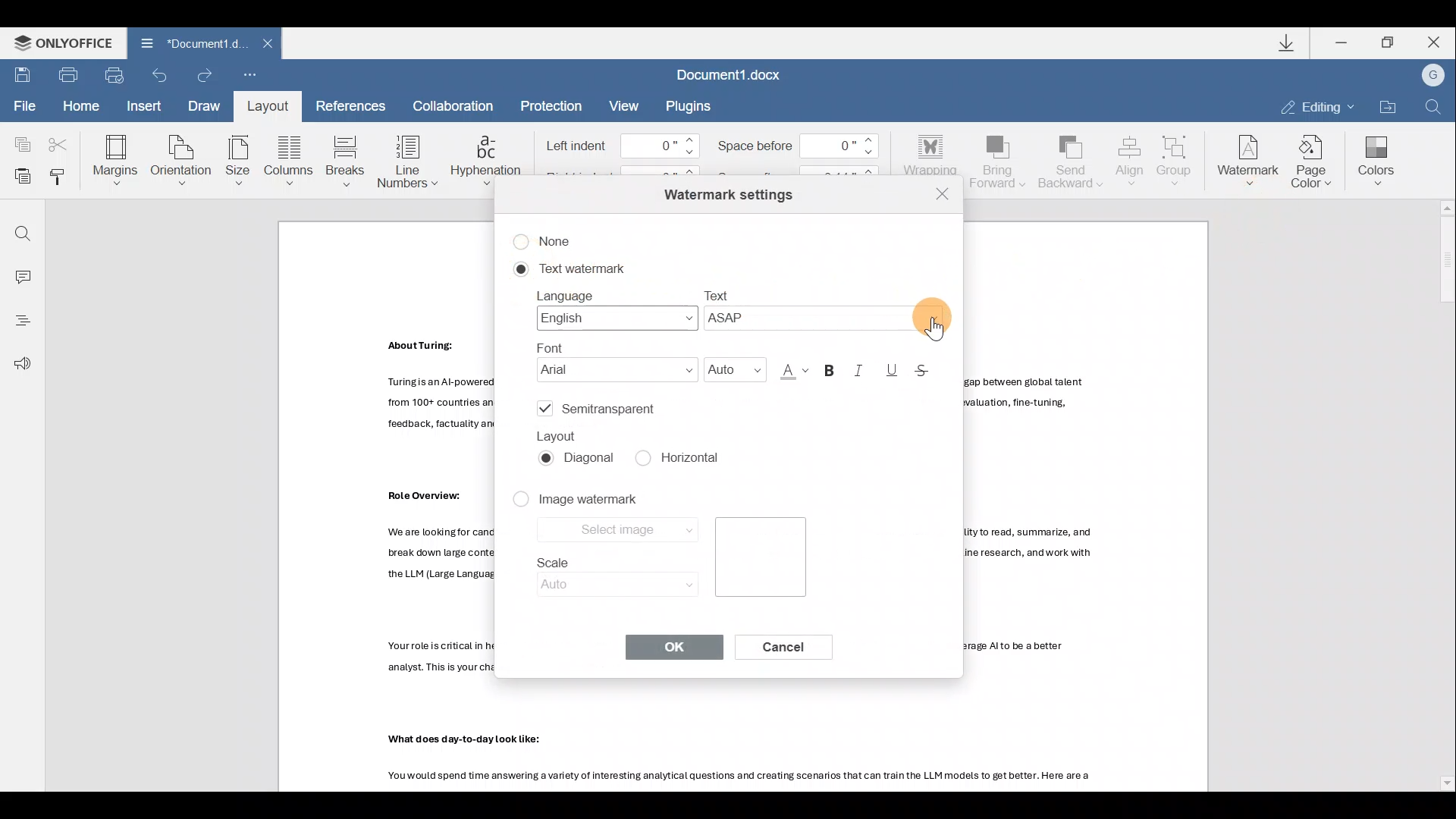  I want to click on Copy style, so click(62, 179).